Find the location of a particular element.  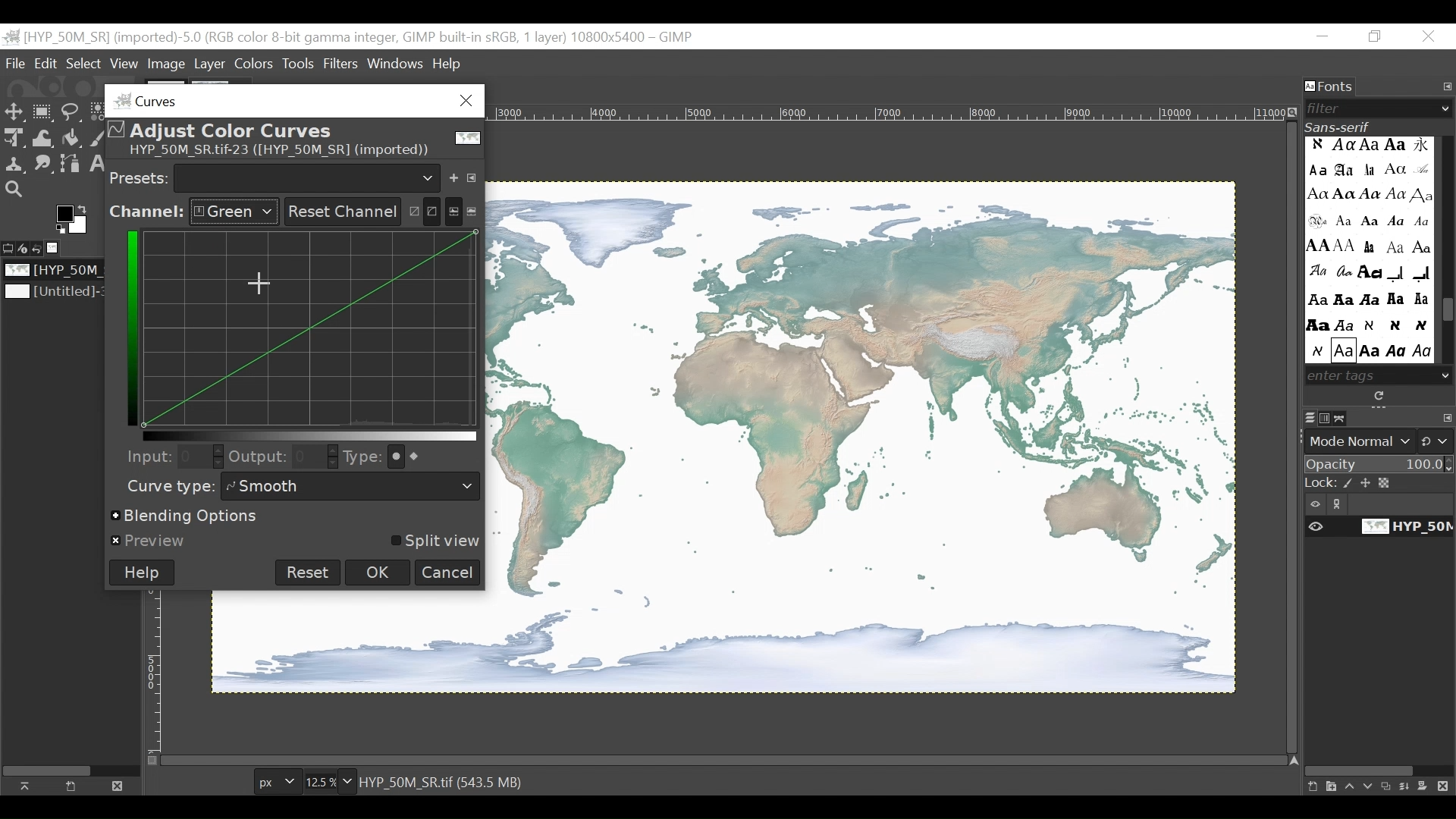

Opacity is located at coordinates (1379, 466).